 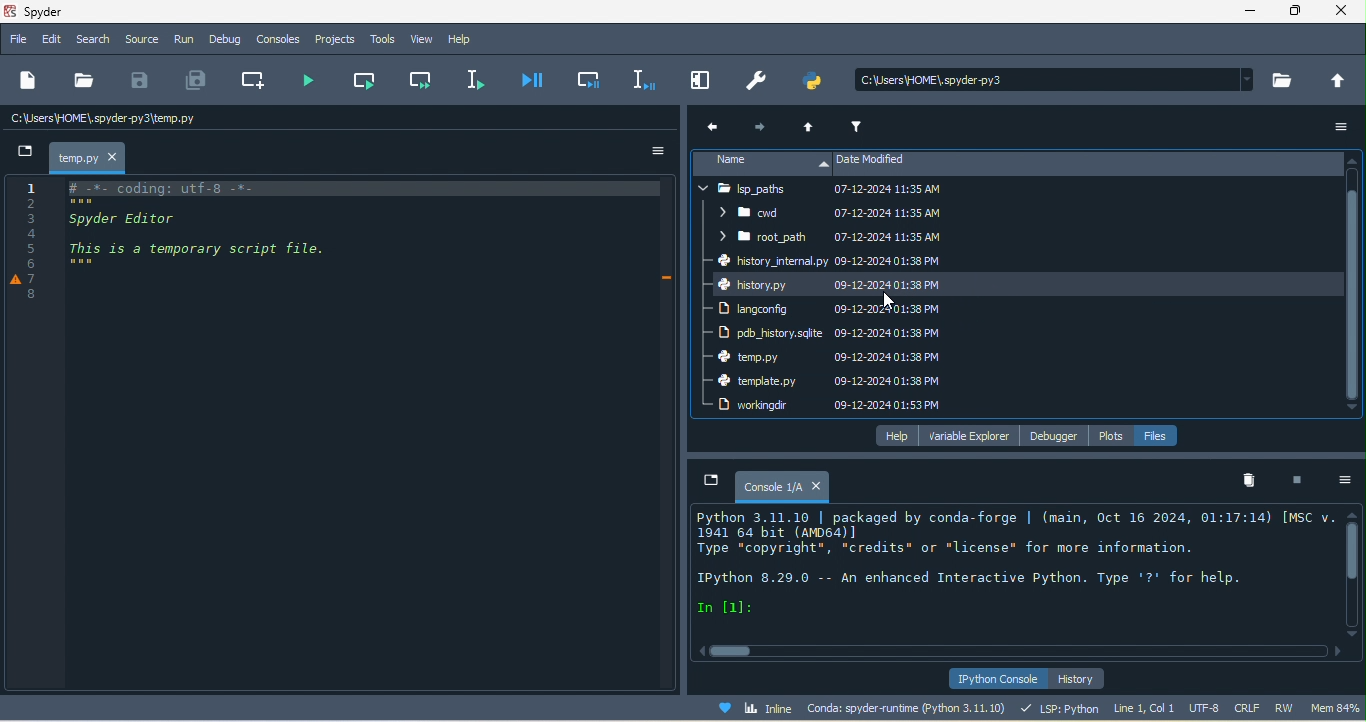 I want to click on langconfig, so click(x=765, y=311).